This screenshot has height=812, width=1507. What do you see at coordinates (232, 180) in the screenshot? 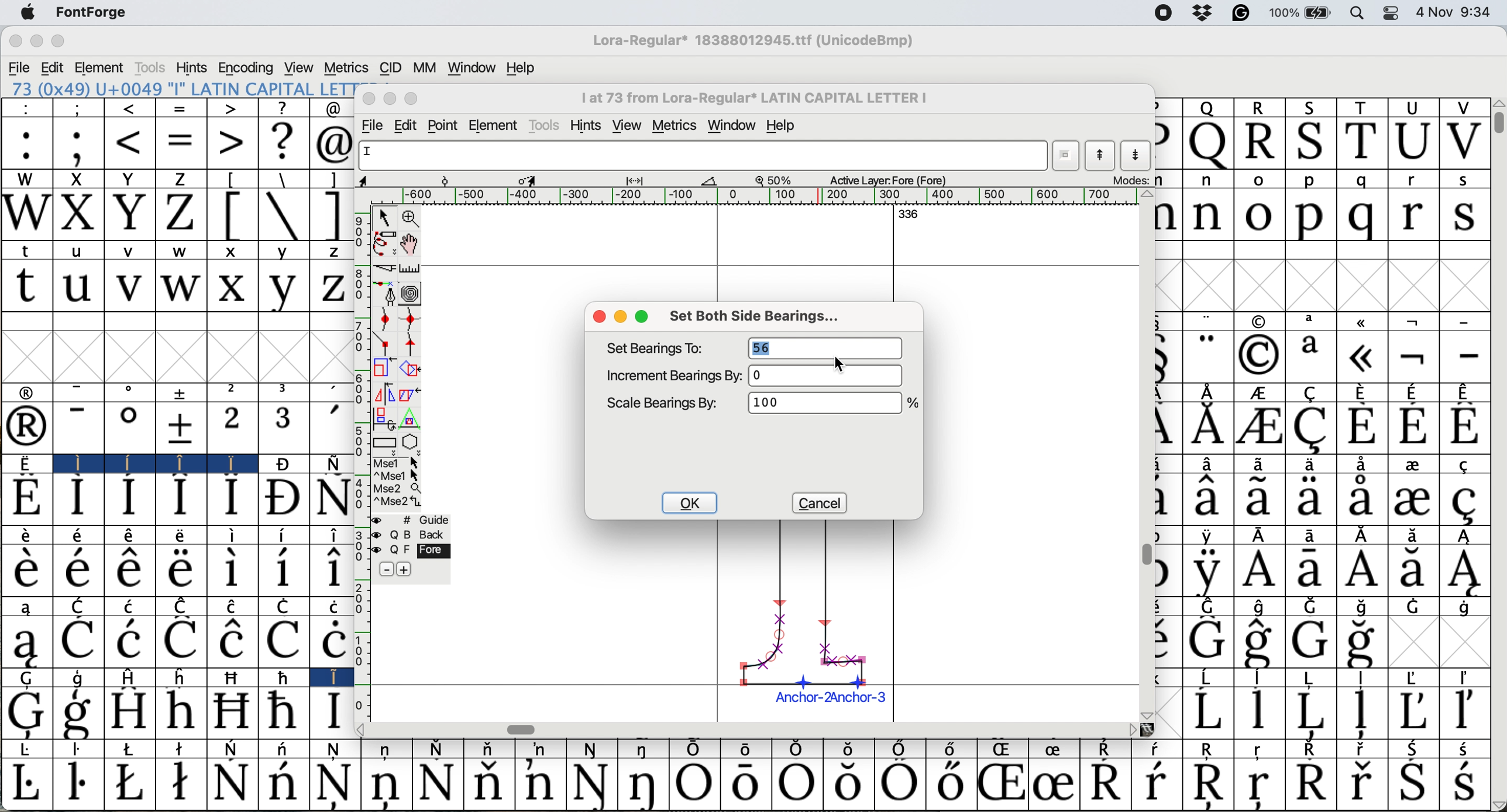
I see `[` at bounding box center [232, 180].